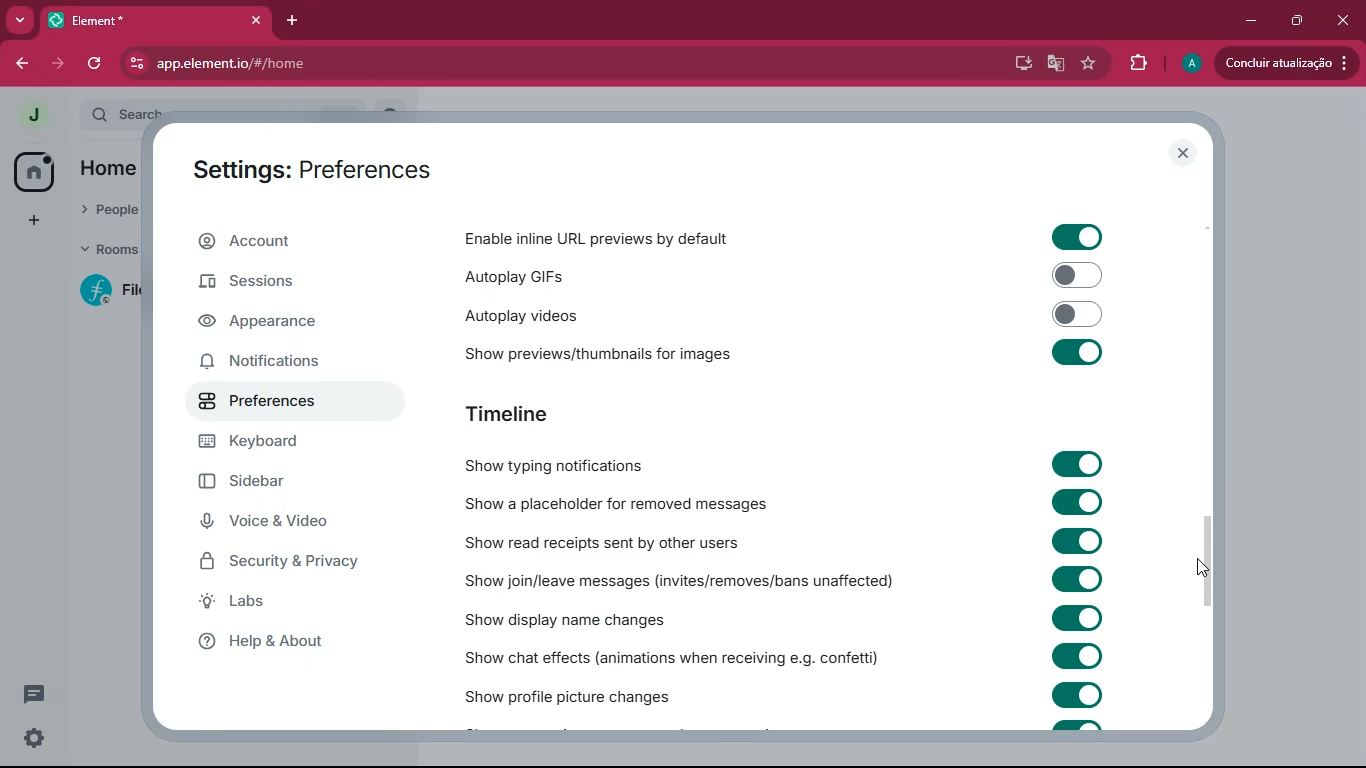  I want to click on profile picture, so click(1189, 64).